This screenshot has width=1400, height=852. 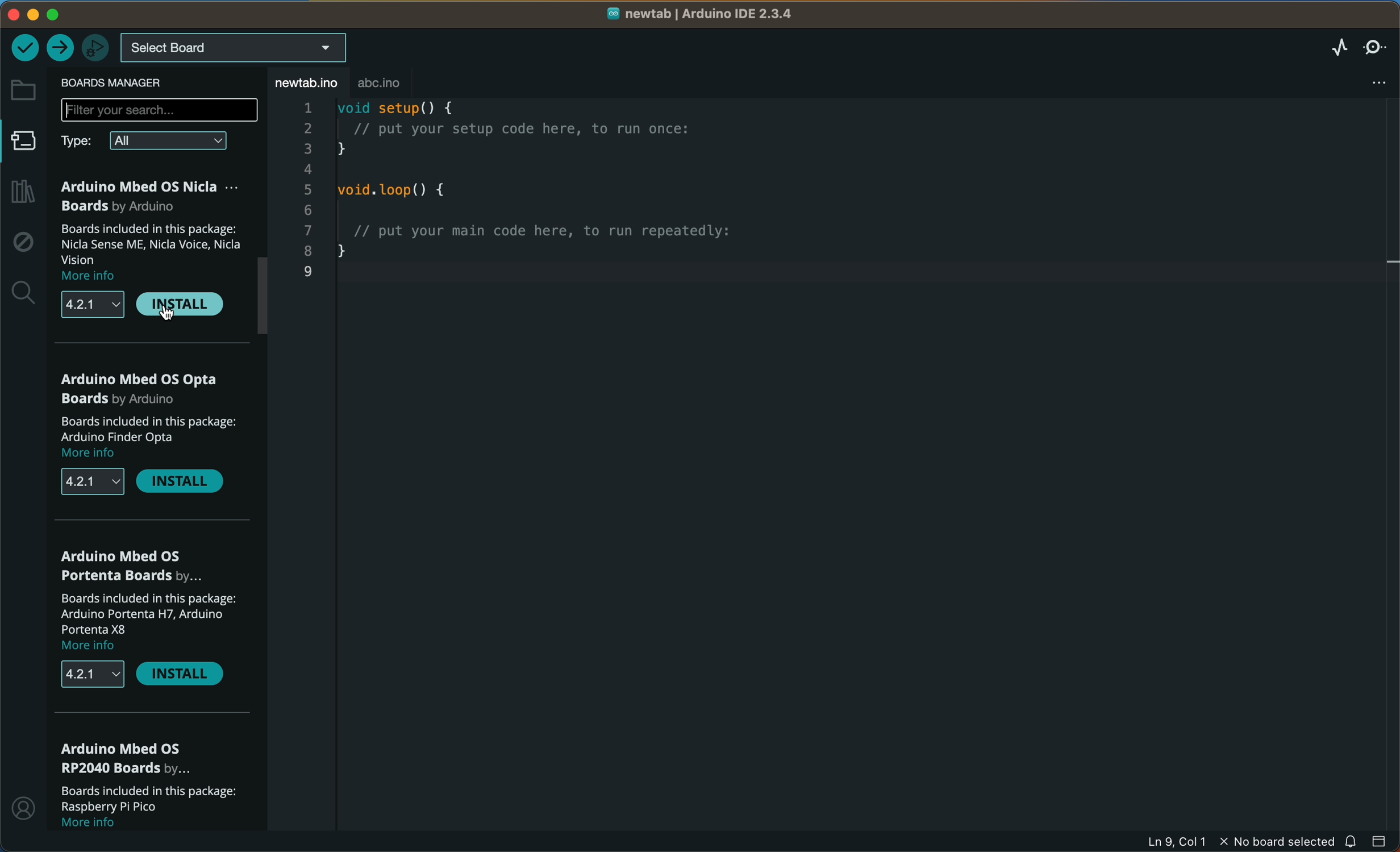 I want to click on close slidebar, so click(x=1382, y=842).